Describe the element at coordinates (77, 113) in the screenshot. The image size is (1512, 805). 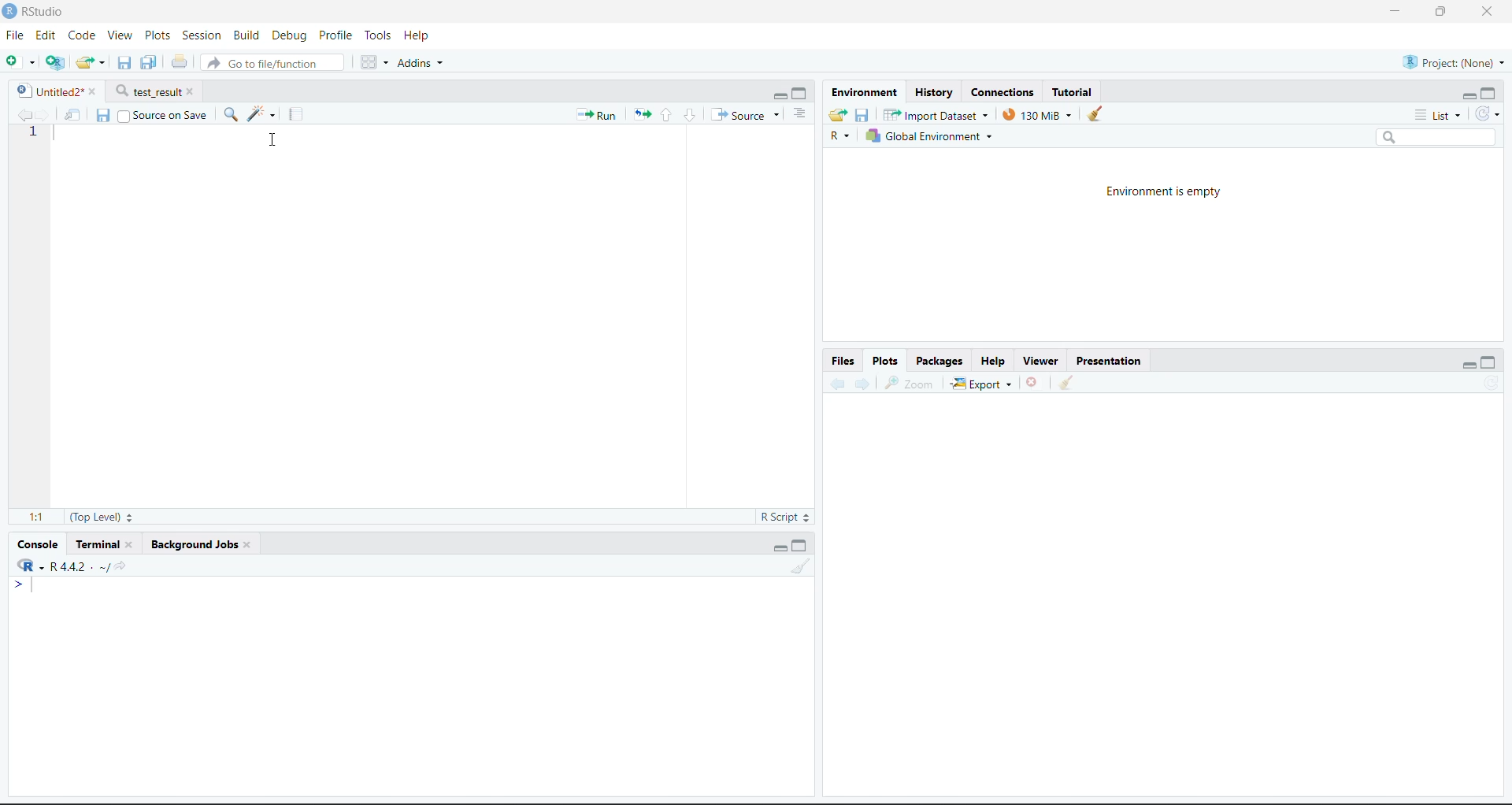
I see `Show in new window` at that location.